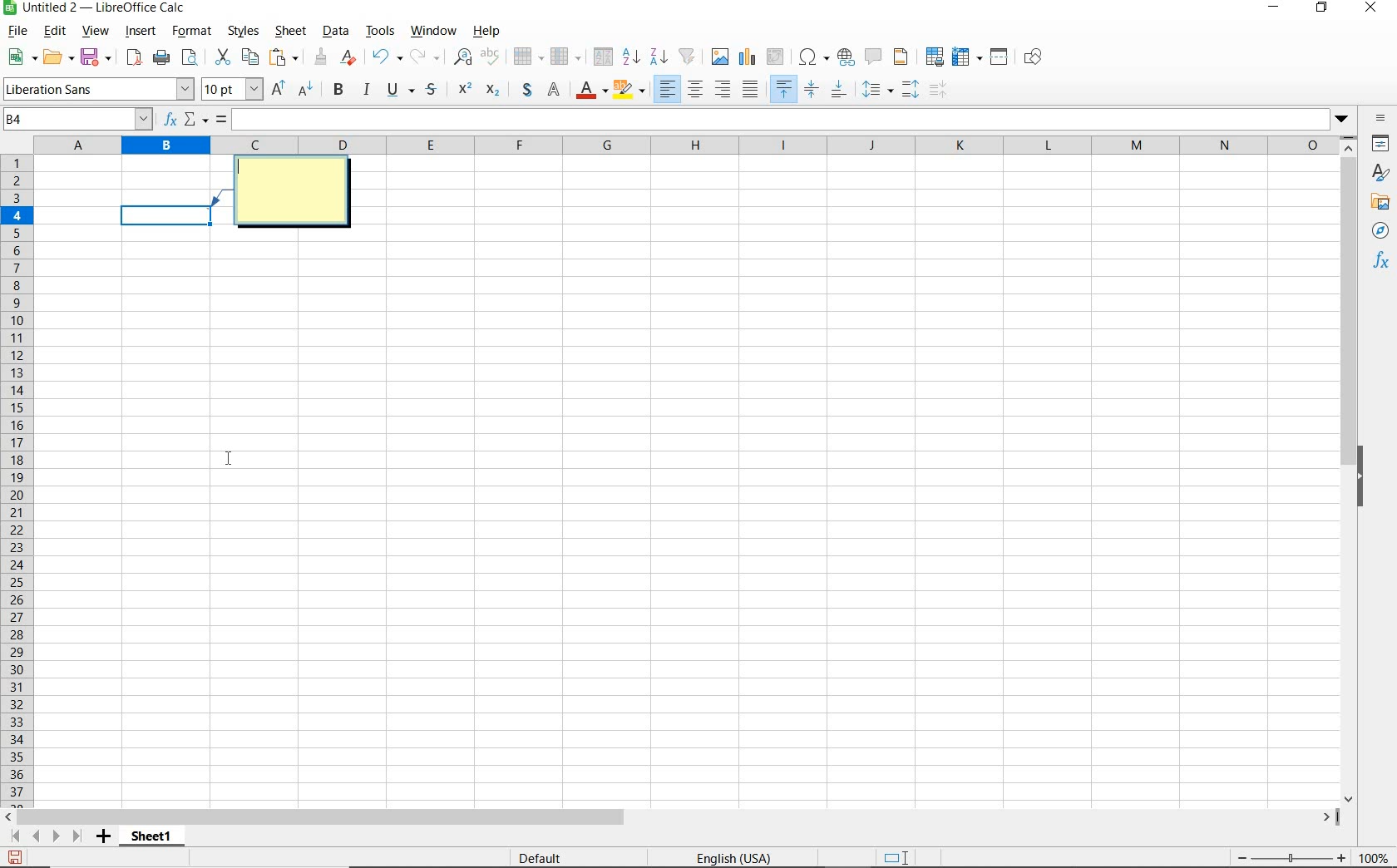  What do you see at coordinates (874, 57) in the screenshot?
I see `insert comment` at bounding box center [874, 57].